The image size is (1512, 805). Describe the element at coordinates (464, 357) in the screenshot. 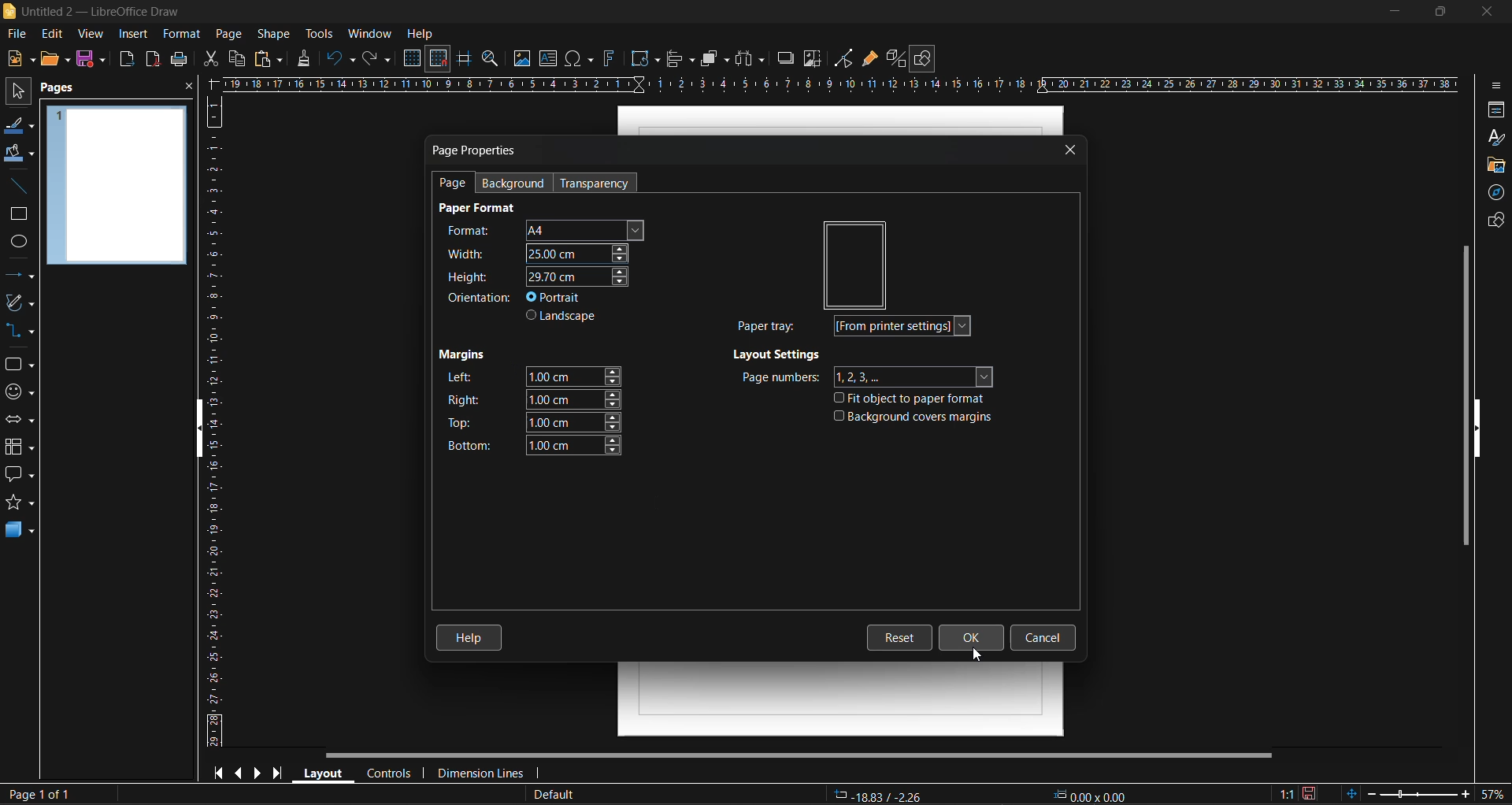

I see `margins` at that location.